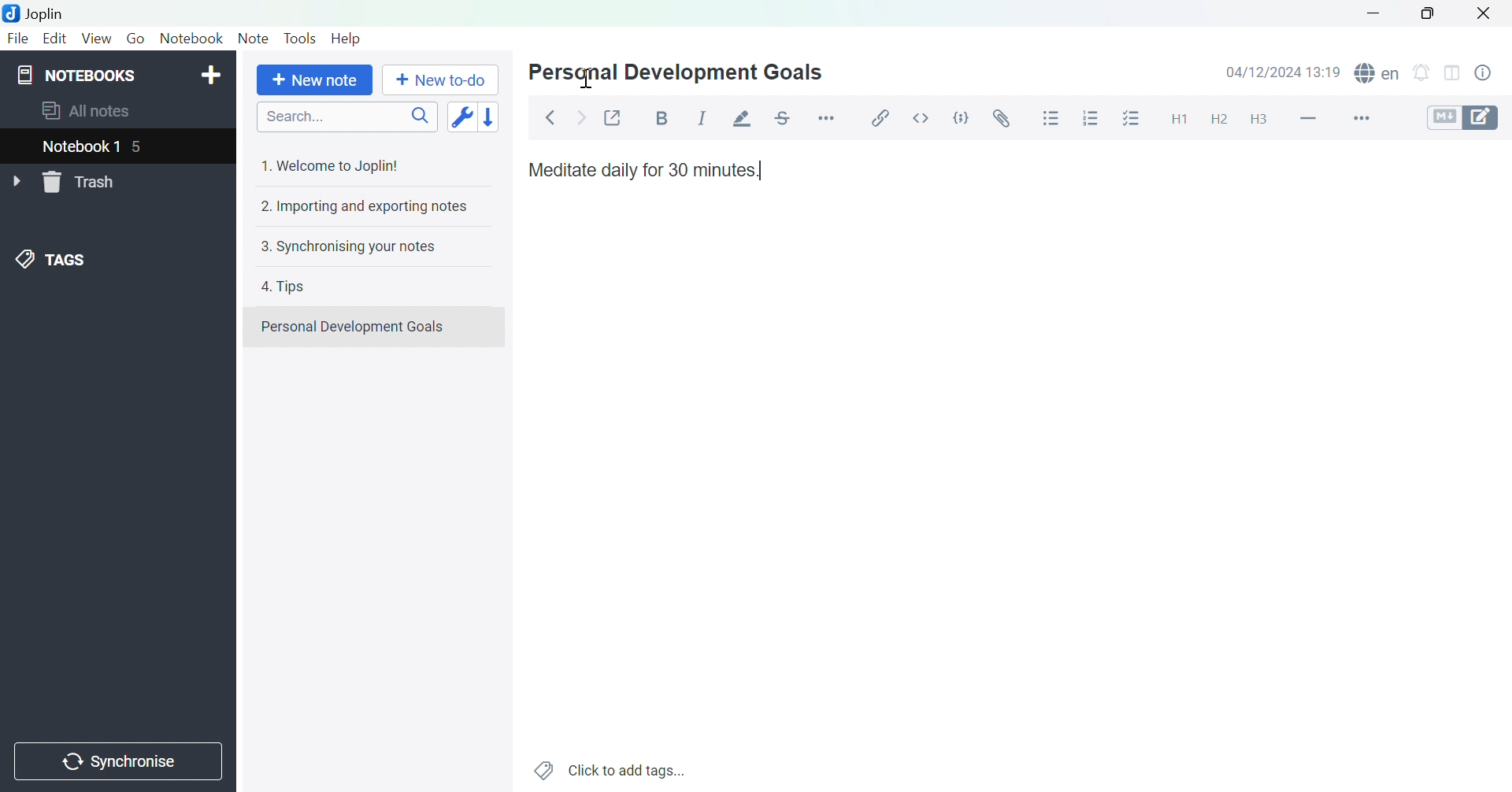 The height and width of the screenshot is (792, 1512). I want to click on Highlight, so click(744, 118).